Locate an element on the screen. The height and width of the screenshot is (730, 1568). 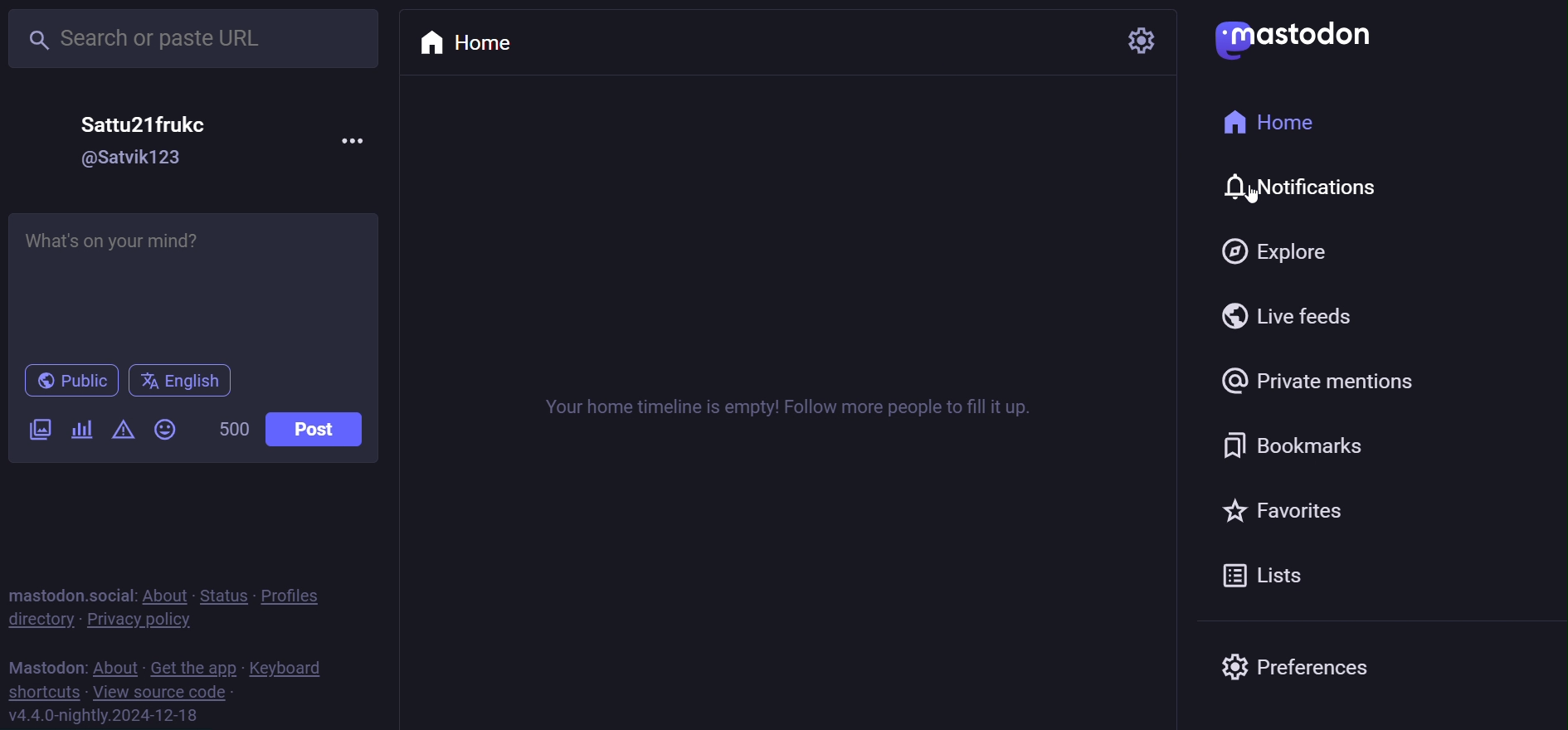
about is located at coordinates (116, 664).